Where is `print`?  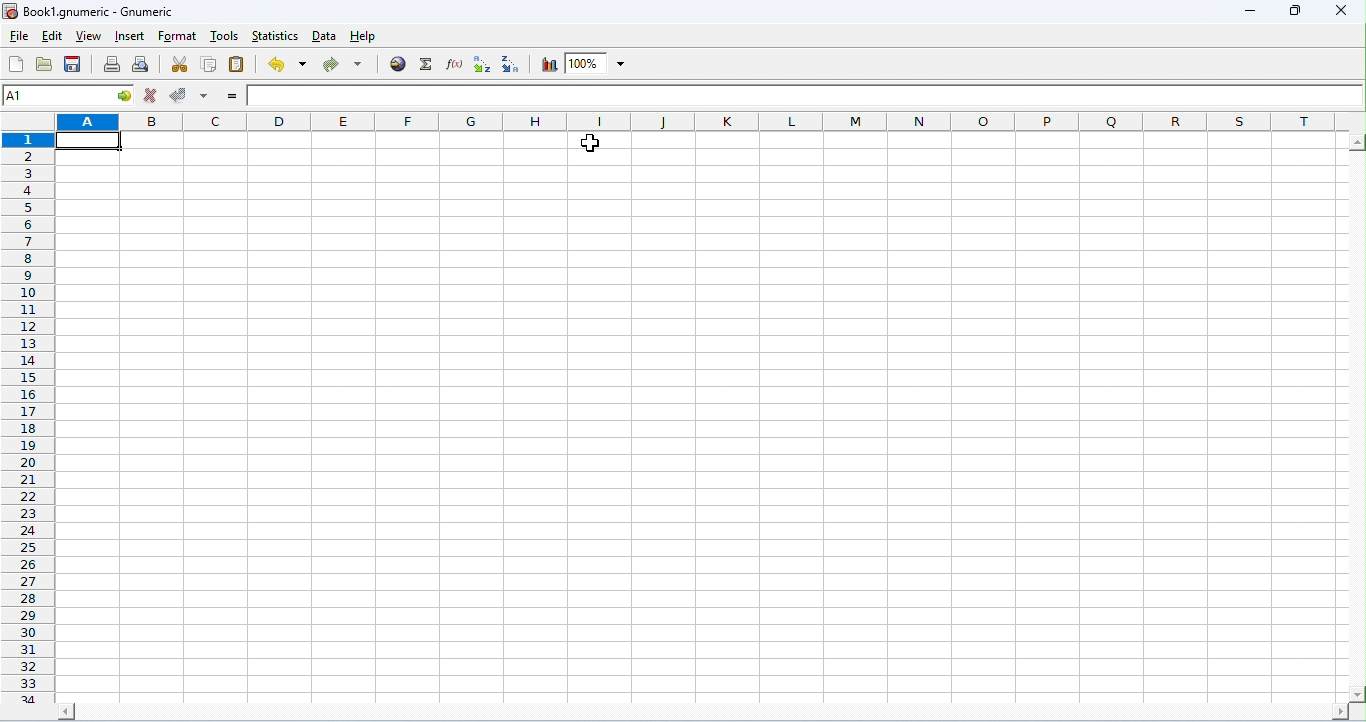 print is located at coordinates (111, 64).